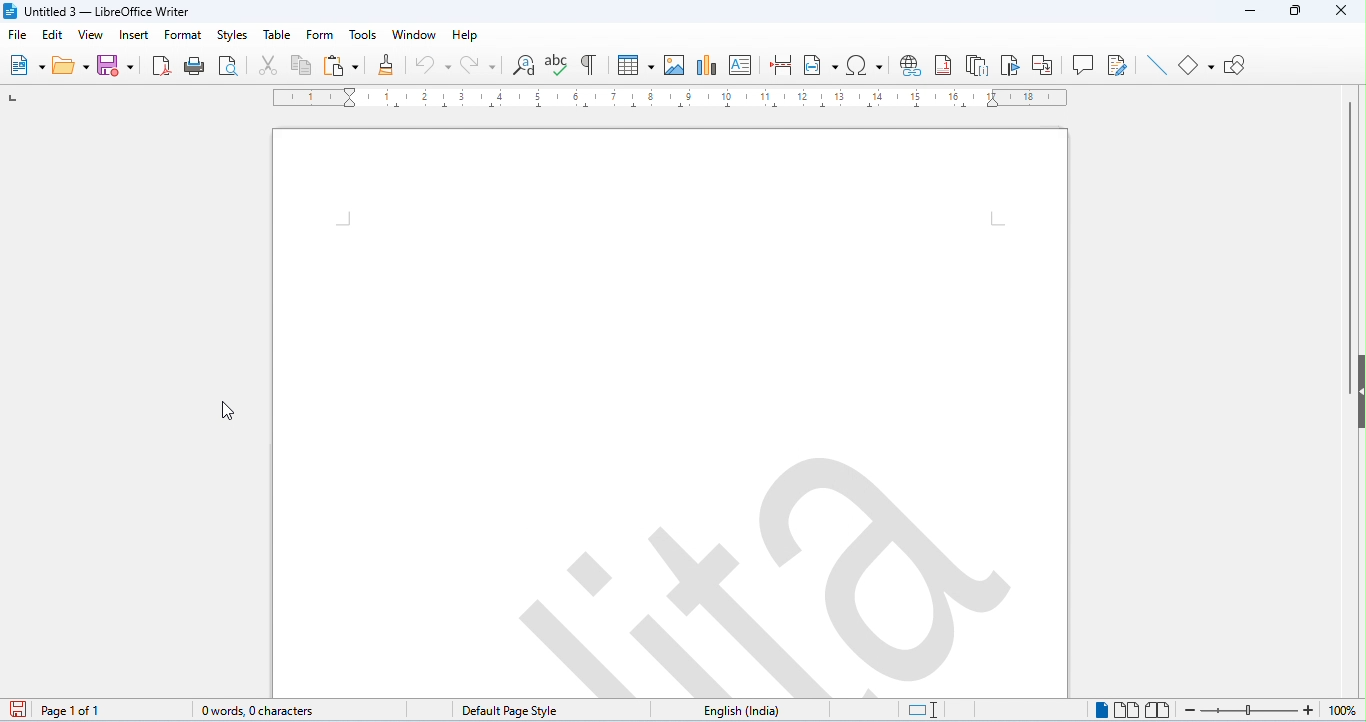  What do you see at coordinates (116, 65) in the screenshot?
I see `save` at bounding box center [116, 65].